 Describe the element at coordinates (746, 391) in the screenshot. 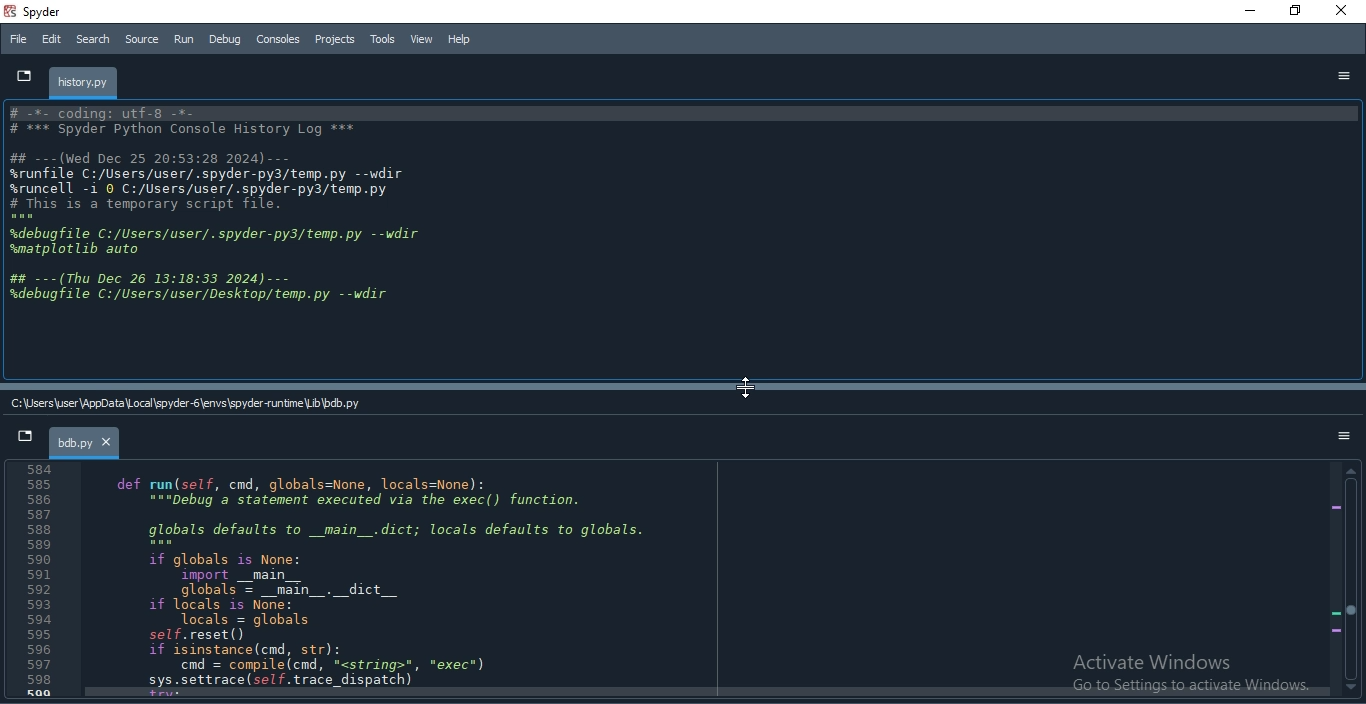

I see `Cursor on scroll bar` at that location.